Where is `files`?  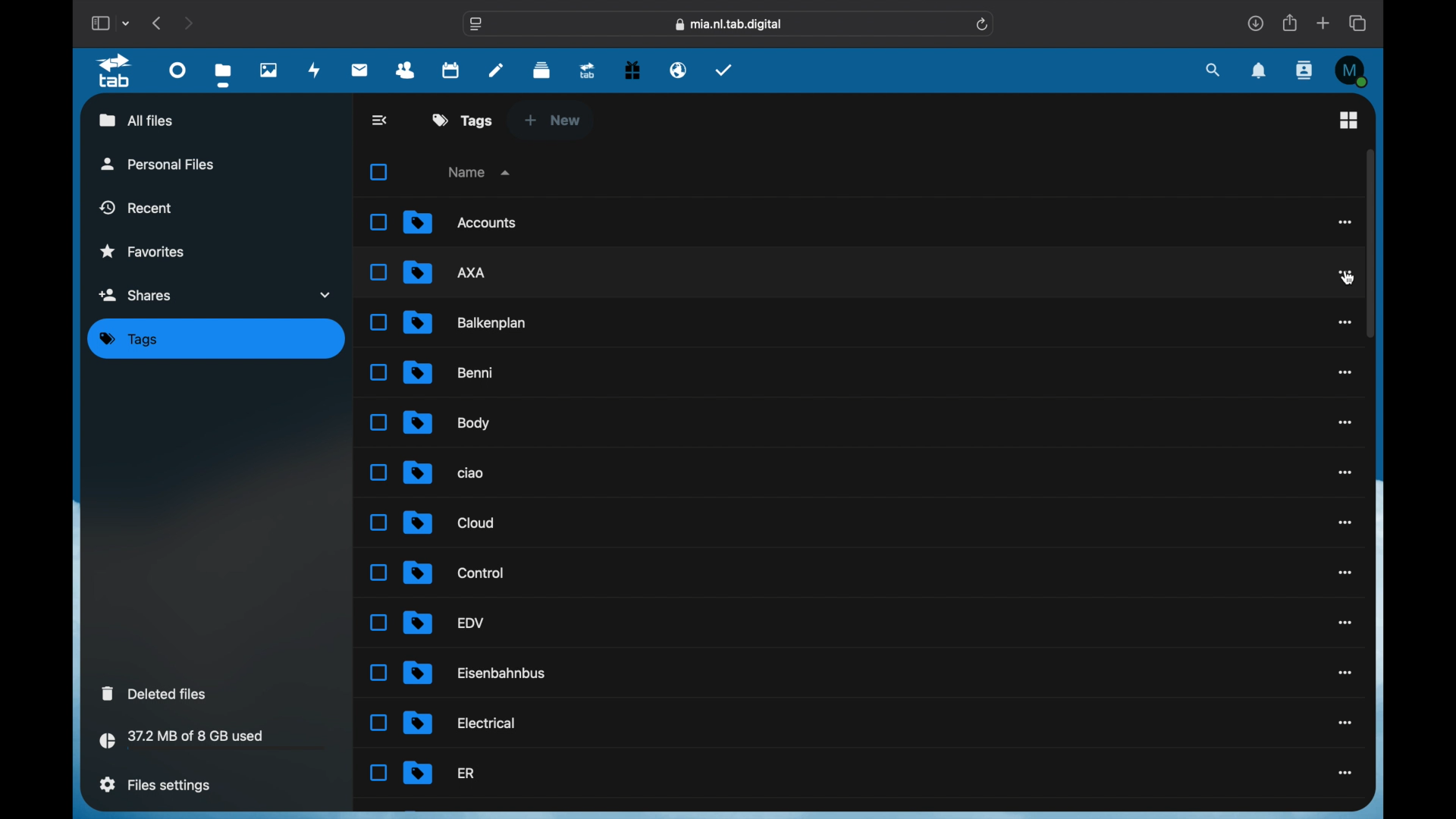
files is located at coordinates (226, 75).